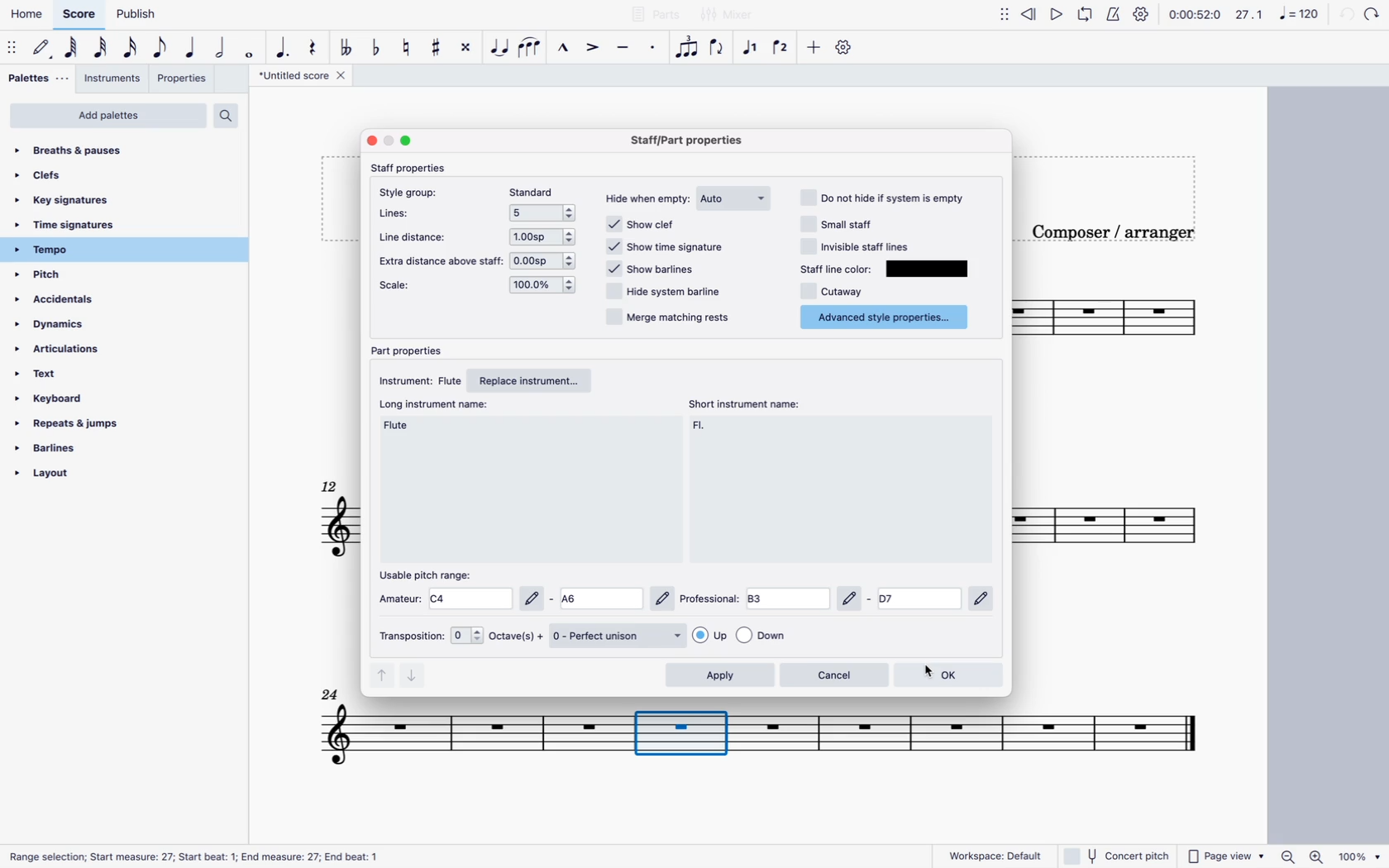 This screenshot has width=1389, height=868. Describe the element at coordinates (109, 117) in the screenshot. I see `add palettes` at that location.